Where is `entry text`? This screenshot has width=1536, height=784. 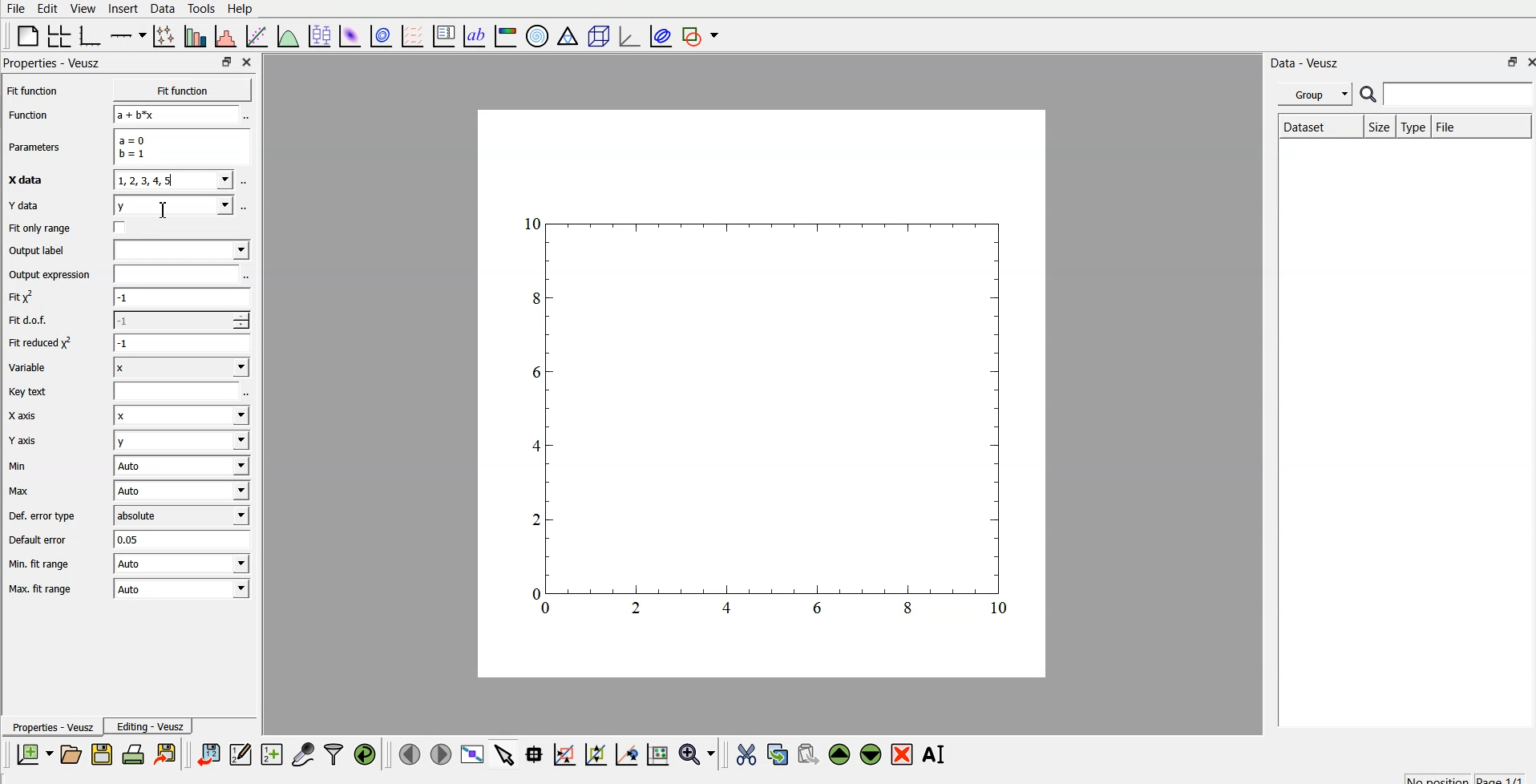
entry text is located at coordinates (182, 394).